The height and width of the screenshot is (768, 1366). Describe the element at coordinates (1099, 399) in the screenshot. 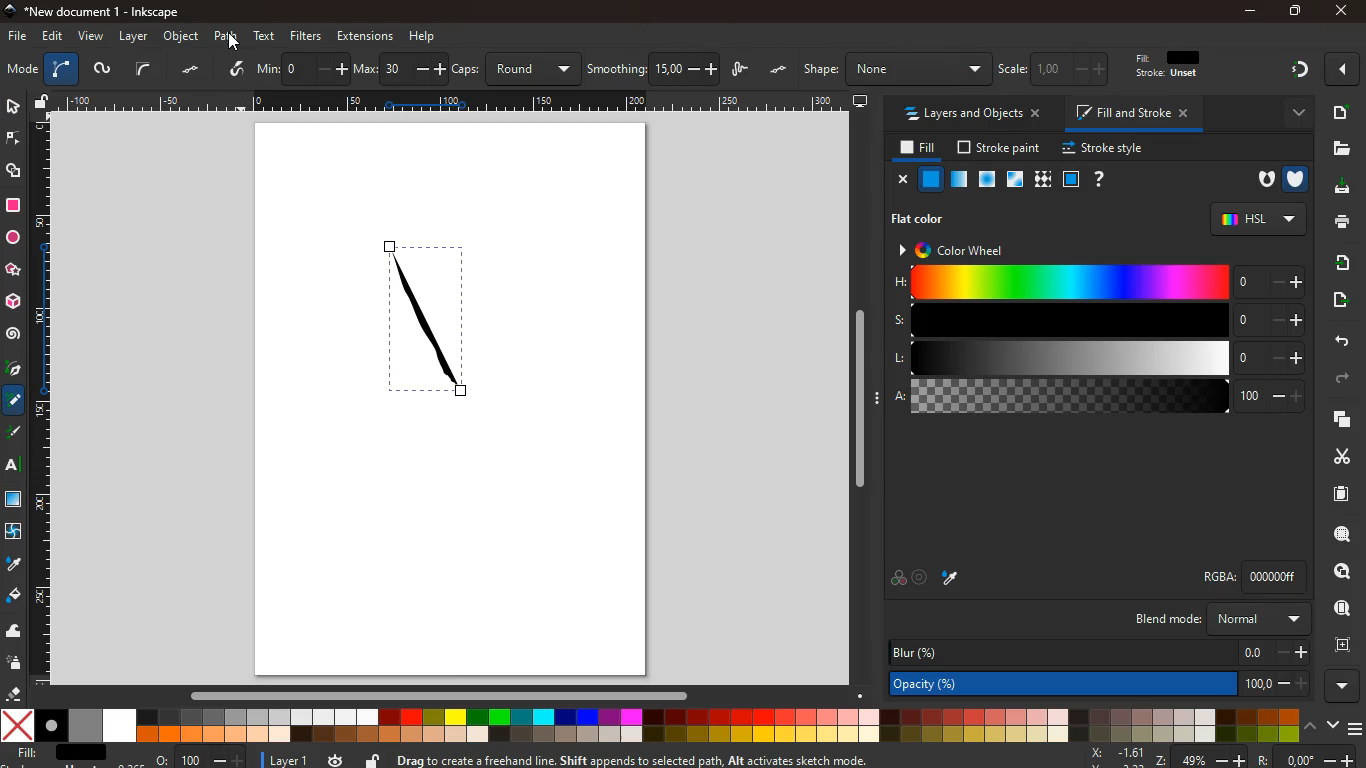

I see `a` at that location.